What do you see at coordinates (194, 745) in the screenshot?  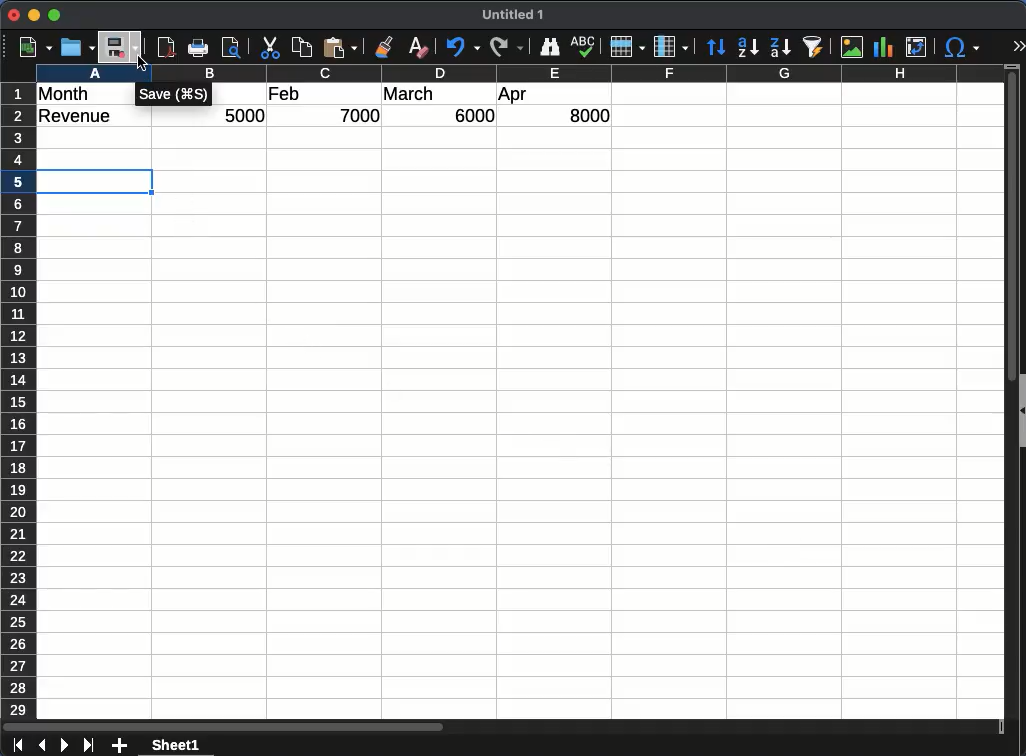 I see `sheet 1` at bounding box center [194, 745].